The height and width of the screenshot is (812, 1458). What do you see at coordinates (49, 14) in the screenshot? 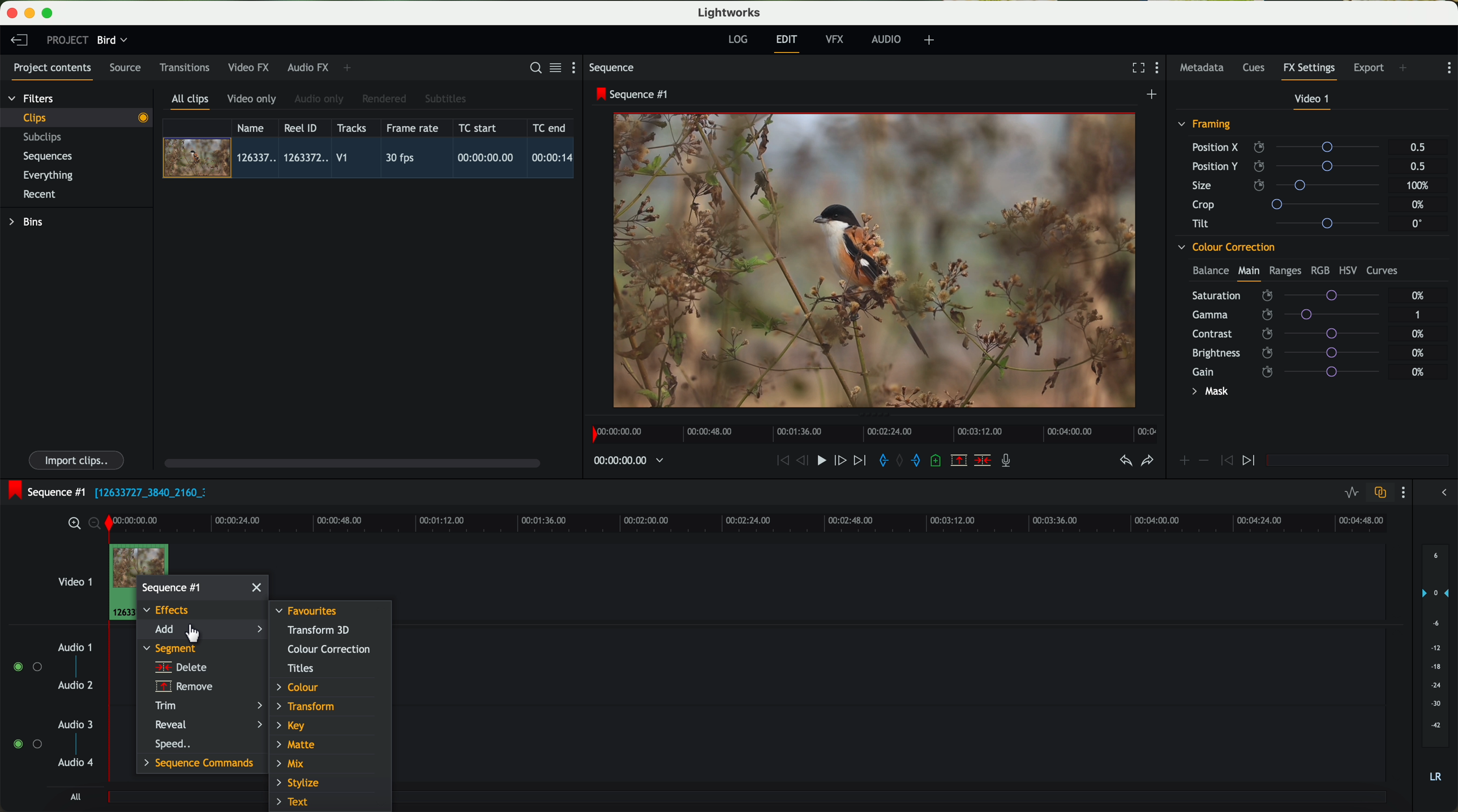
I see `maximize program` at bounding box center [49, 14].